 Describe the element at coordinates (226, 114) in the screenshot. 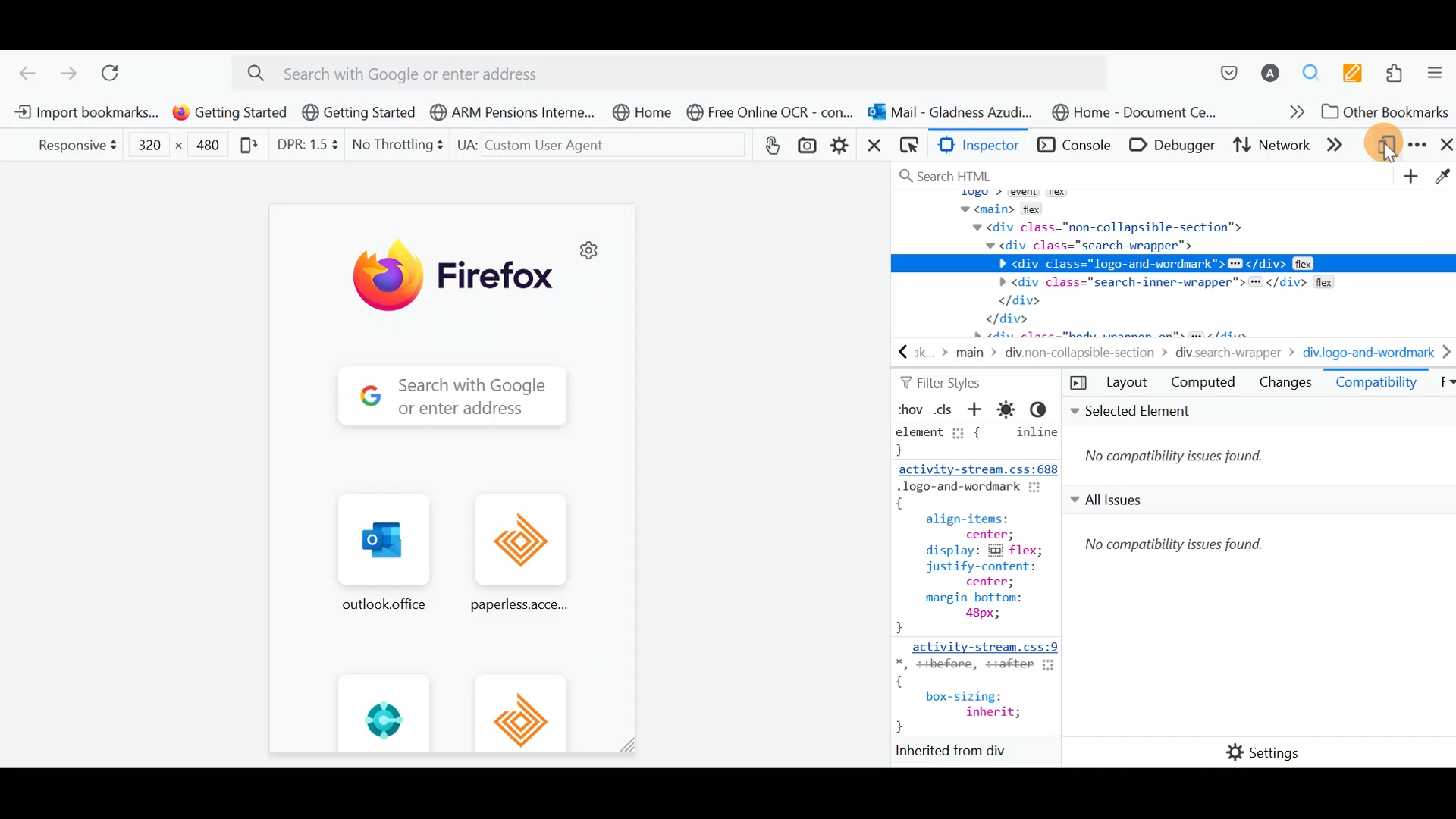

I see `Bookmark 2` at that location.